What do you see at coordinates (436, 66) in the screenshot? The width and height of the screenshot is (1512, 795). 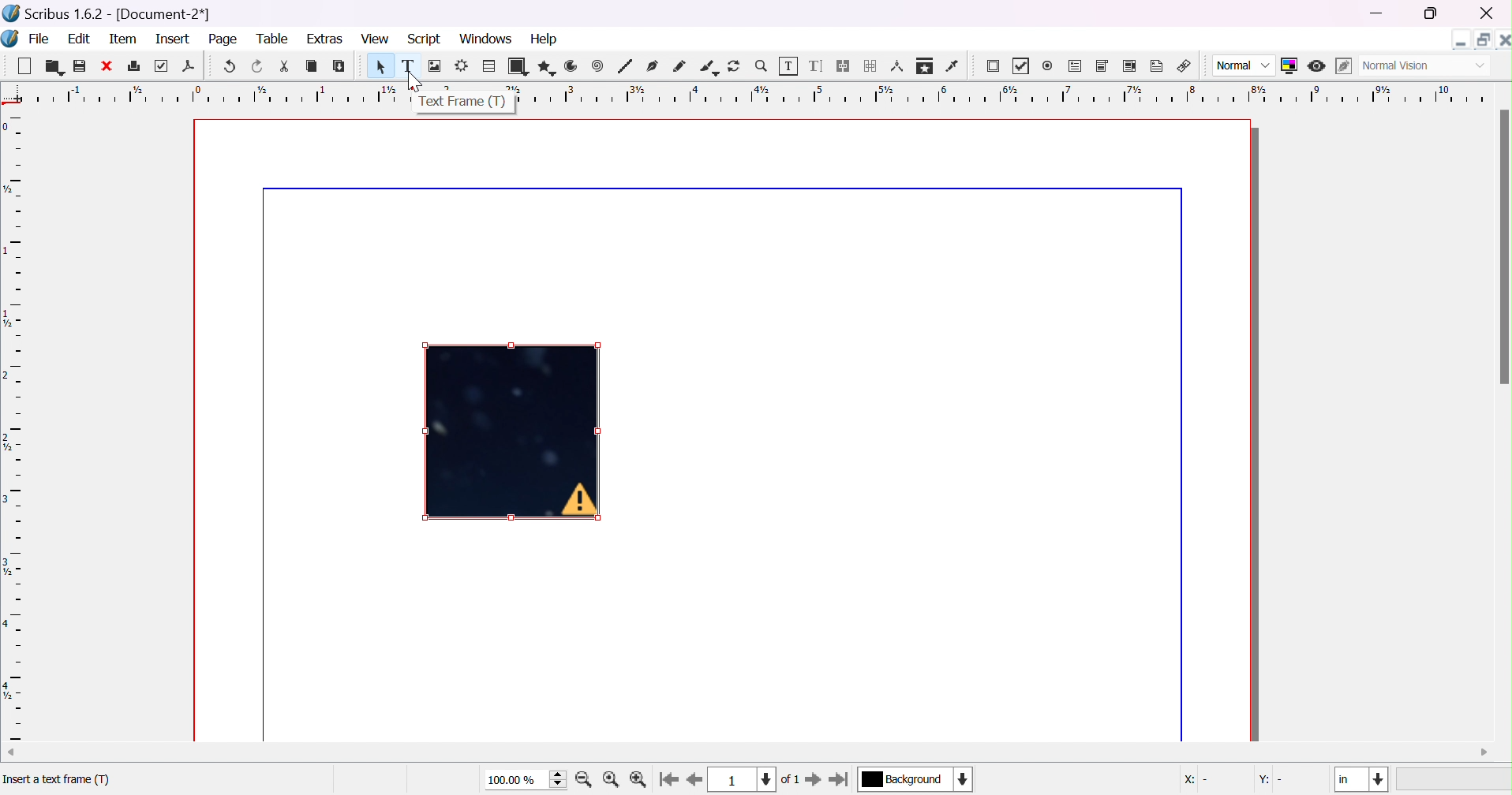 I see `image frame` at bounding box center [436, 66].